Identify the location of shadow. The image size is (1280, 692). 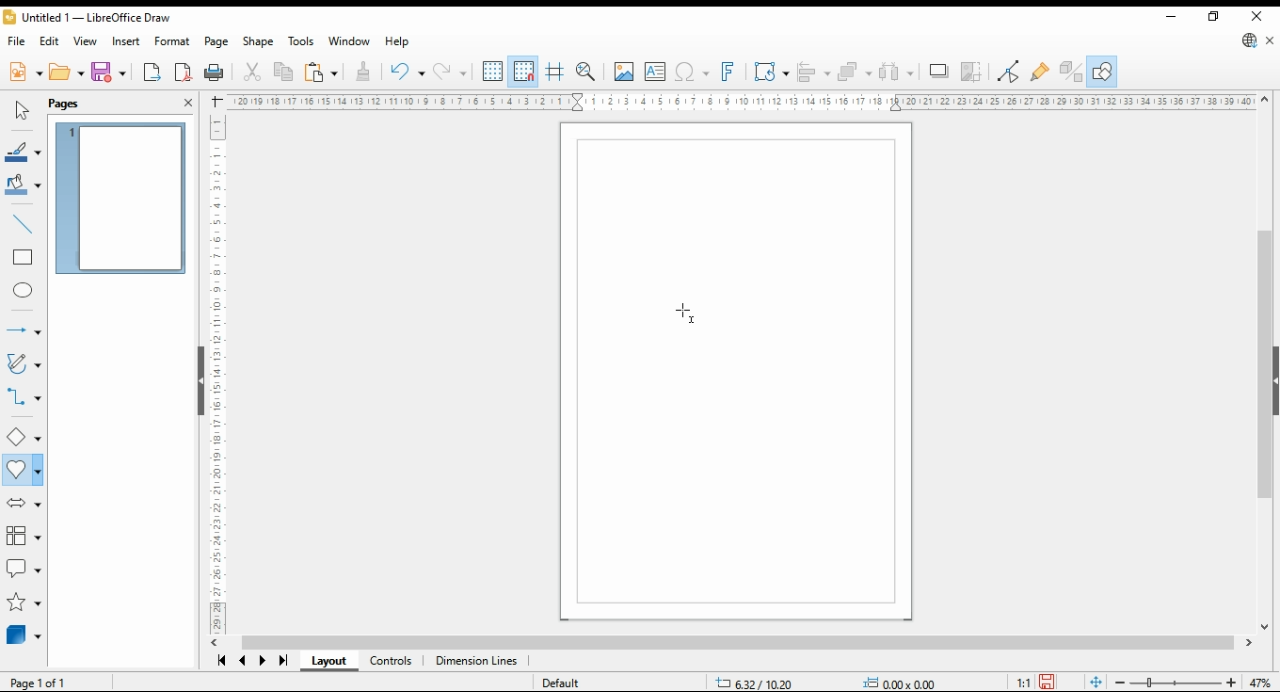
(938, 71).